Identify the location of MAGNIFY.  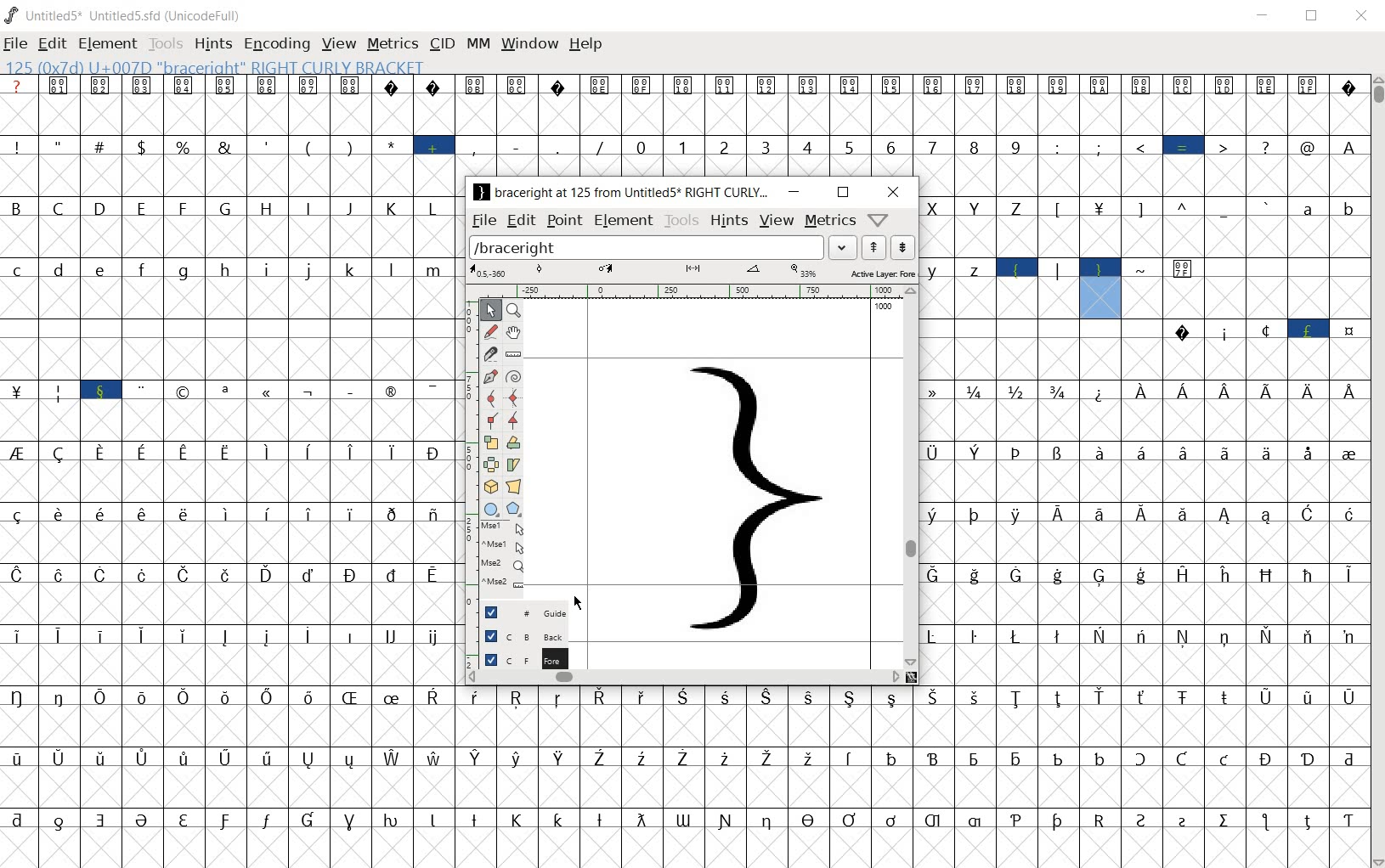
(515, 309).